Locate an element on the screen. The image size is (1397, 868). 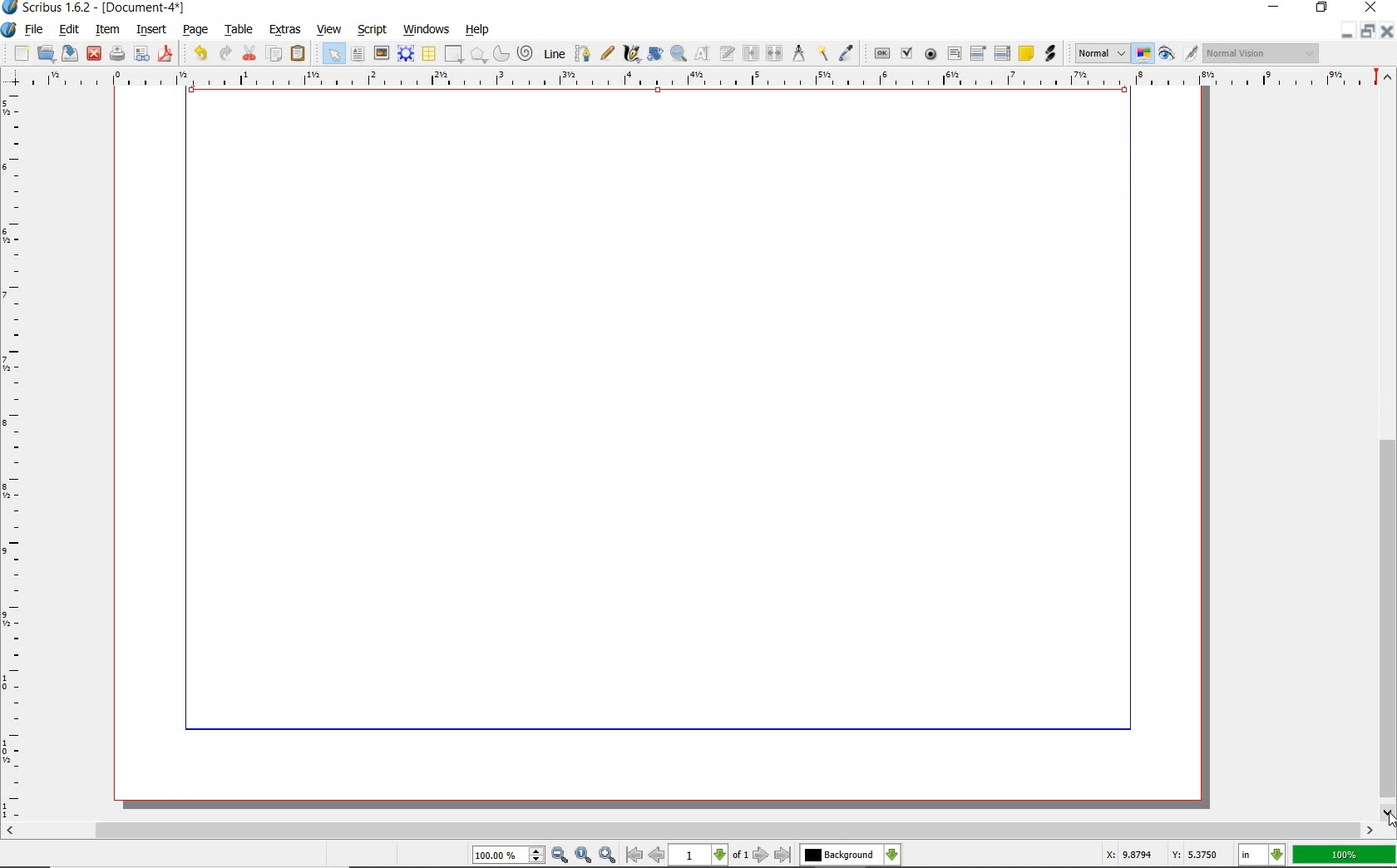
spiral is located at coordinates (526, 53).